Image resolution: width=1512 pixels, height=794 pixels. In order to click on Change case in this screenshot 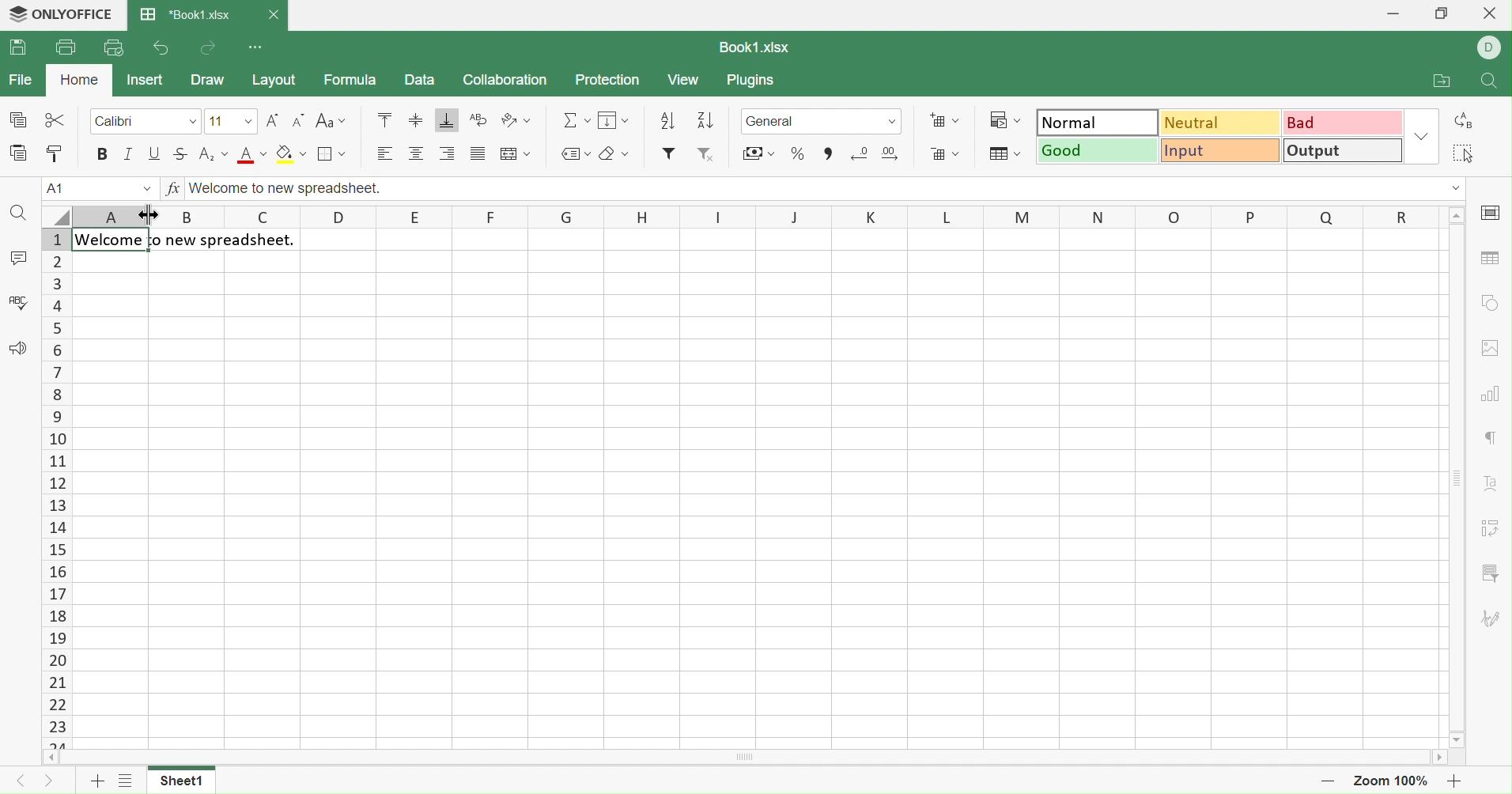, I will do `click(332, 120)`.